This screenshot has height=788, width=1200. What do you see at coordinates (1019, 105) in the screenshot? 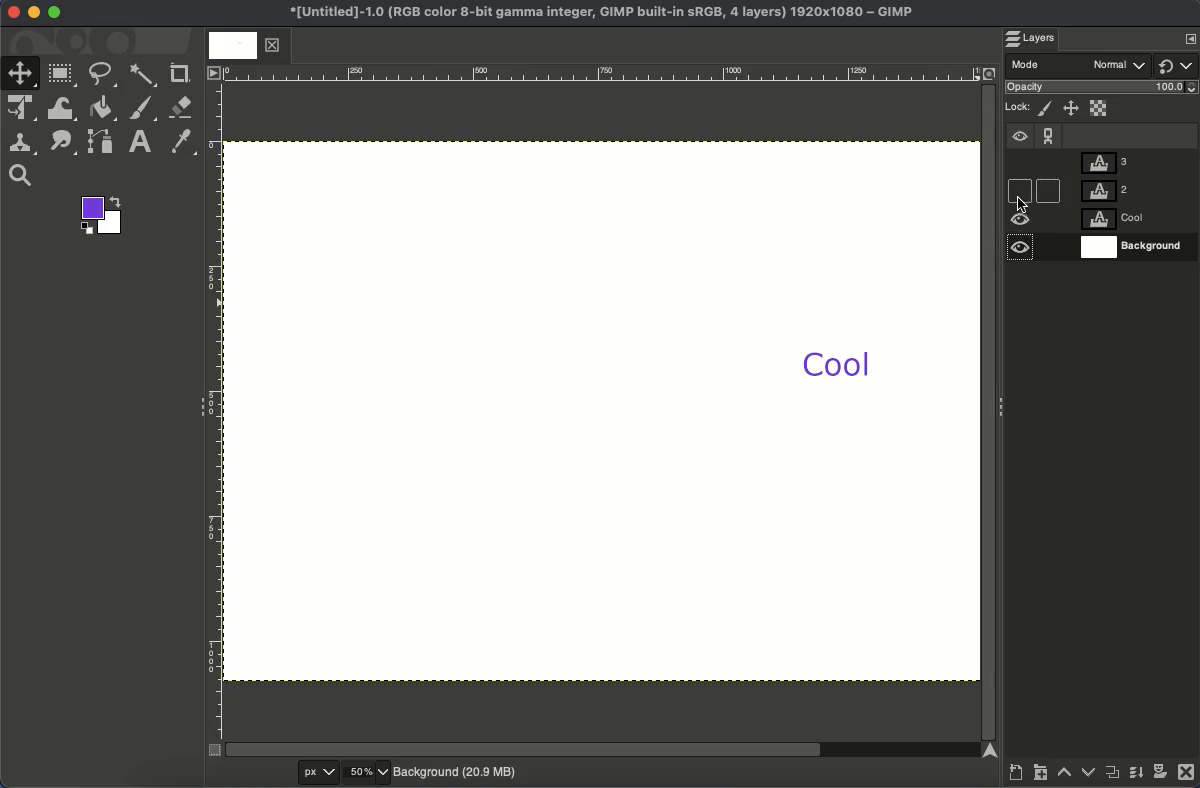
I see `Lock` at bounding box center [1019, 105].